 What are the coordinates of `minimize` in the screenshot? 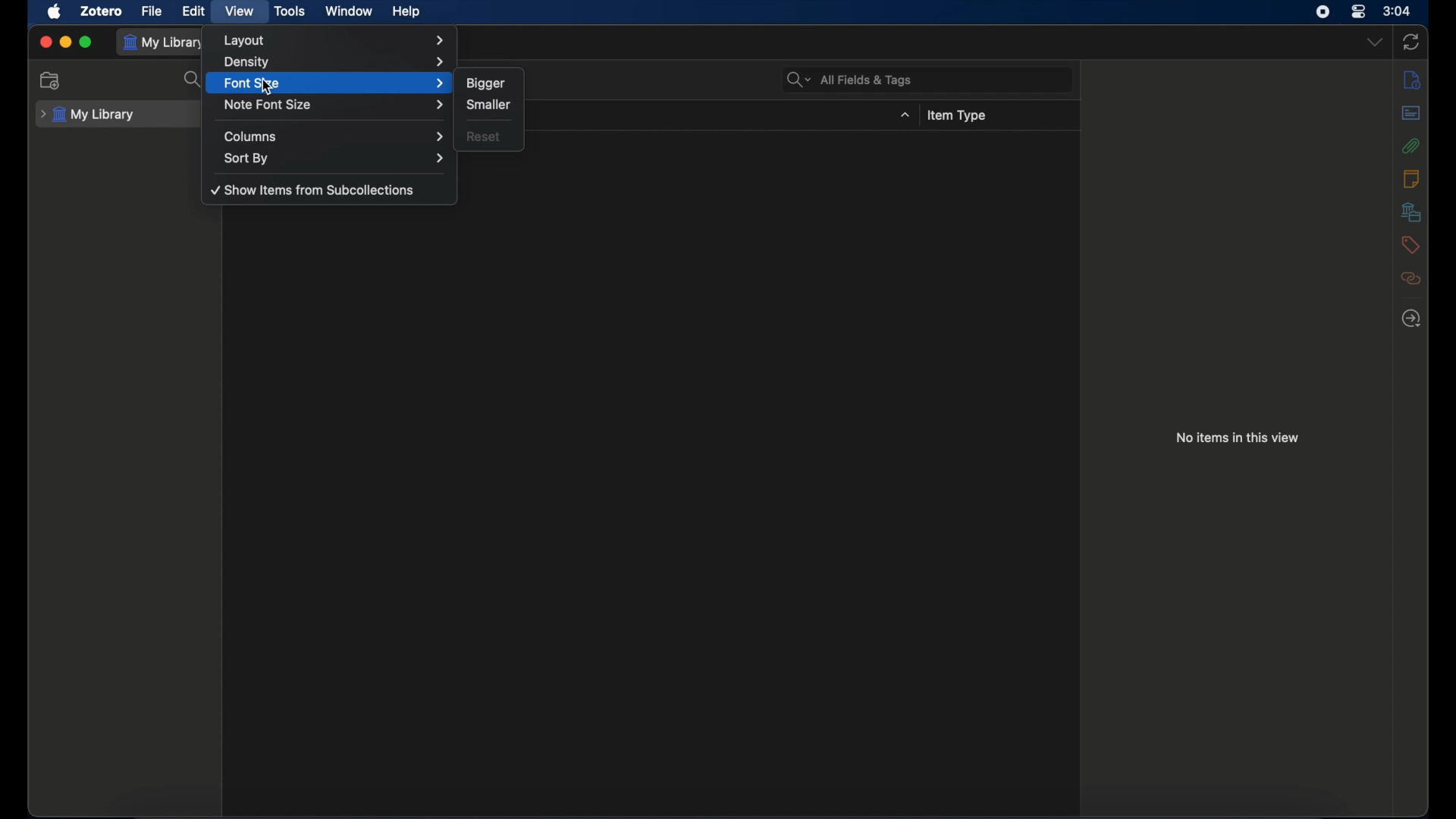 It's located at (67, 42).